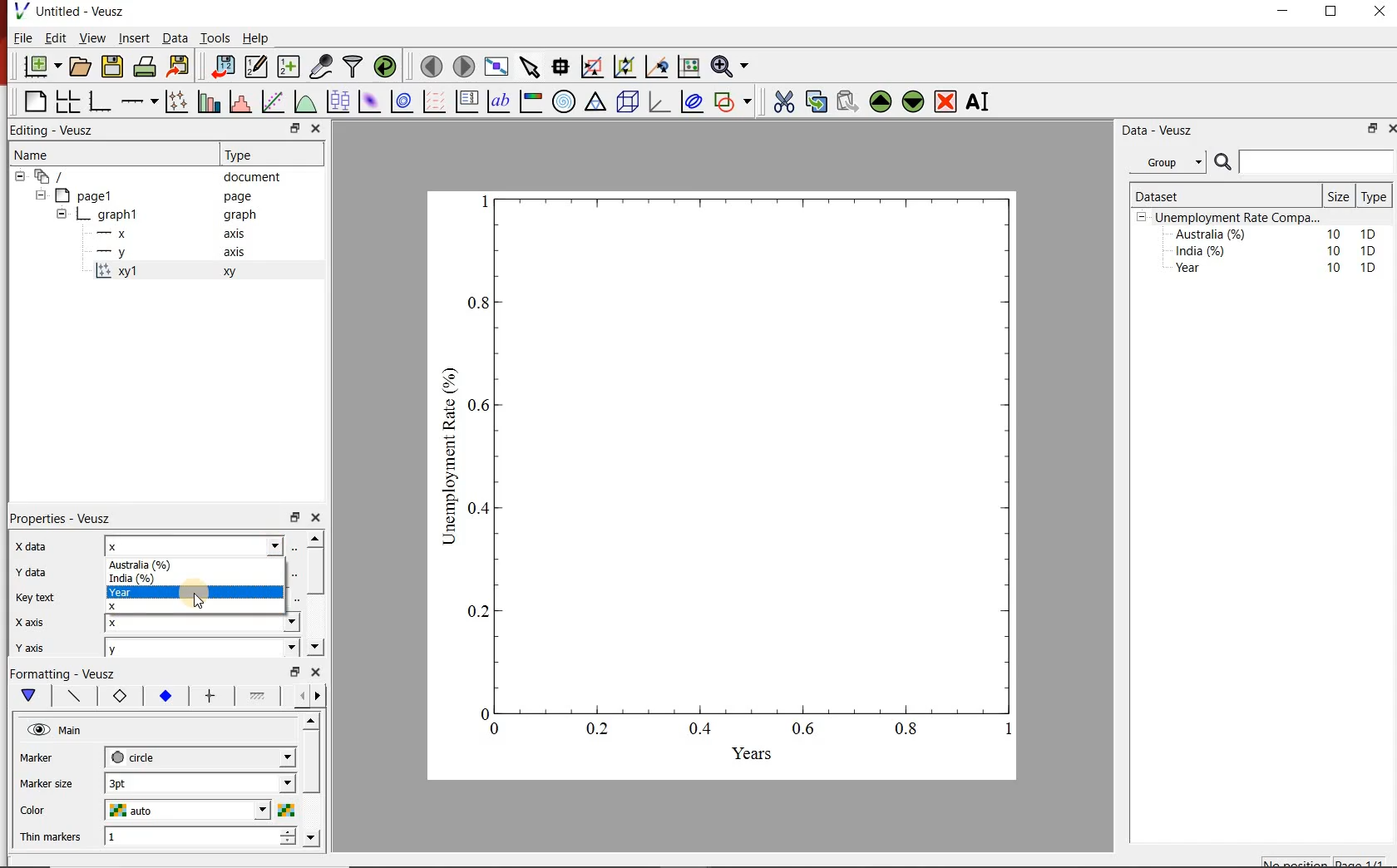 The image size is (1397, 868). Describe the element at coordinates (312, 776) in the screenshot. I see `scroll bar` at that location.